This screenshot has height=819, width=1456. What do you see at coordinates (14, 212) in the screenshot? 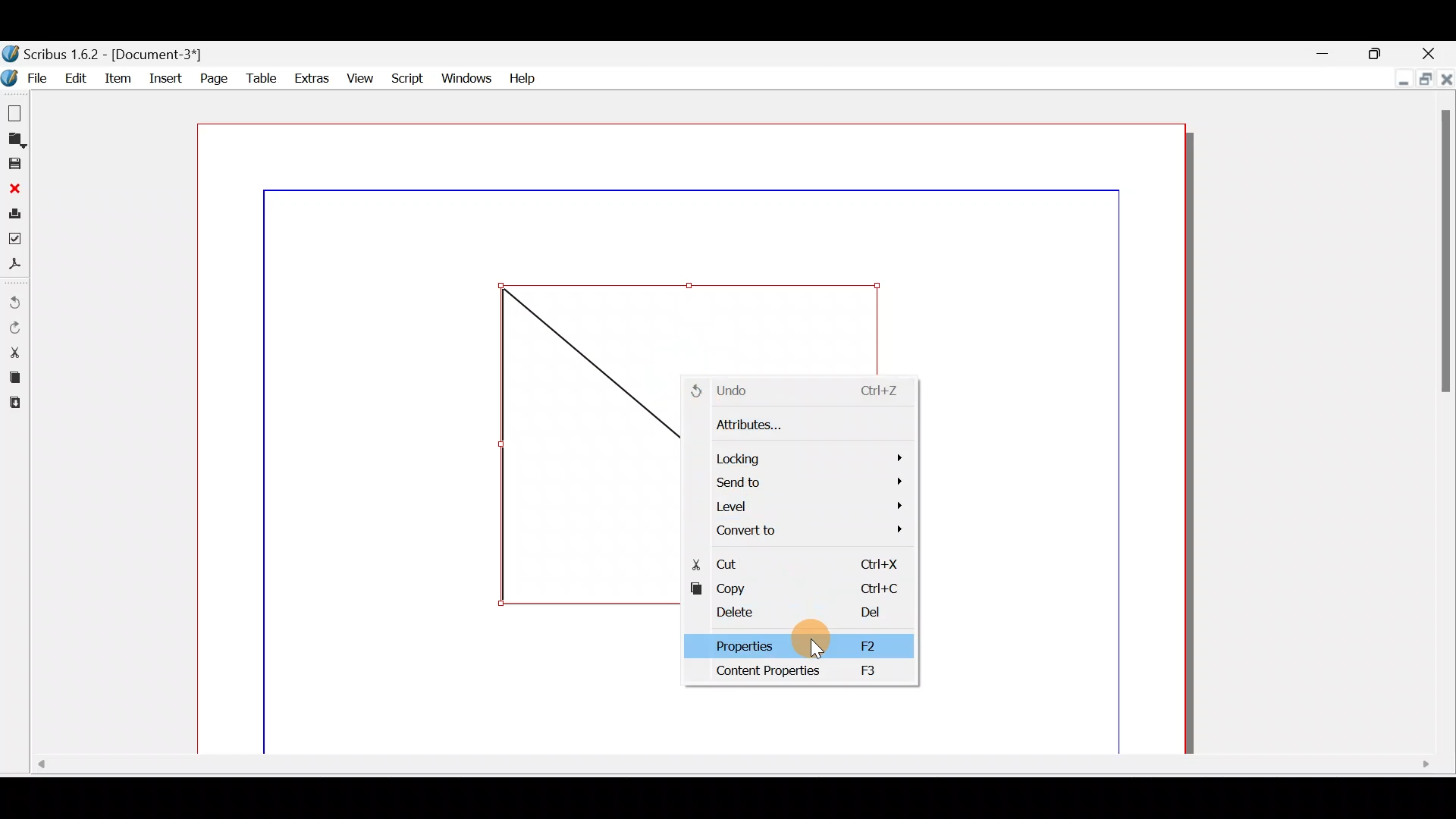
I see `Print` at bounding box center [14, 212].